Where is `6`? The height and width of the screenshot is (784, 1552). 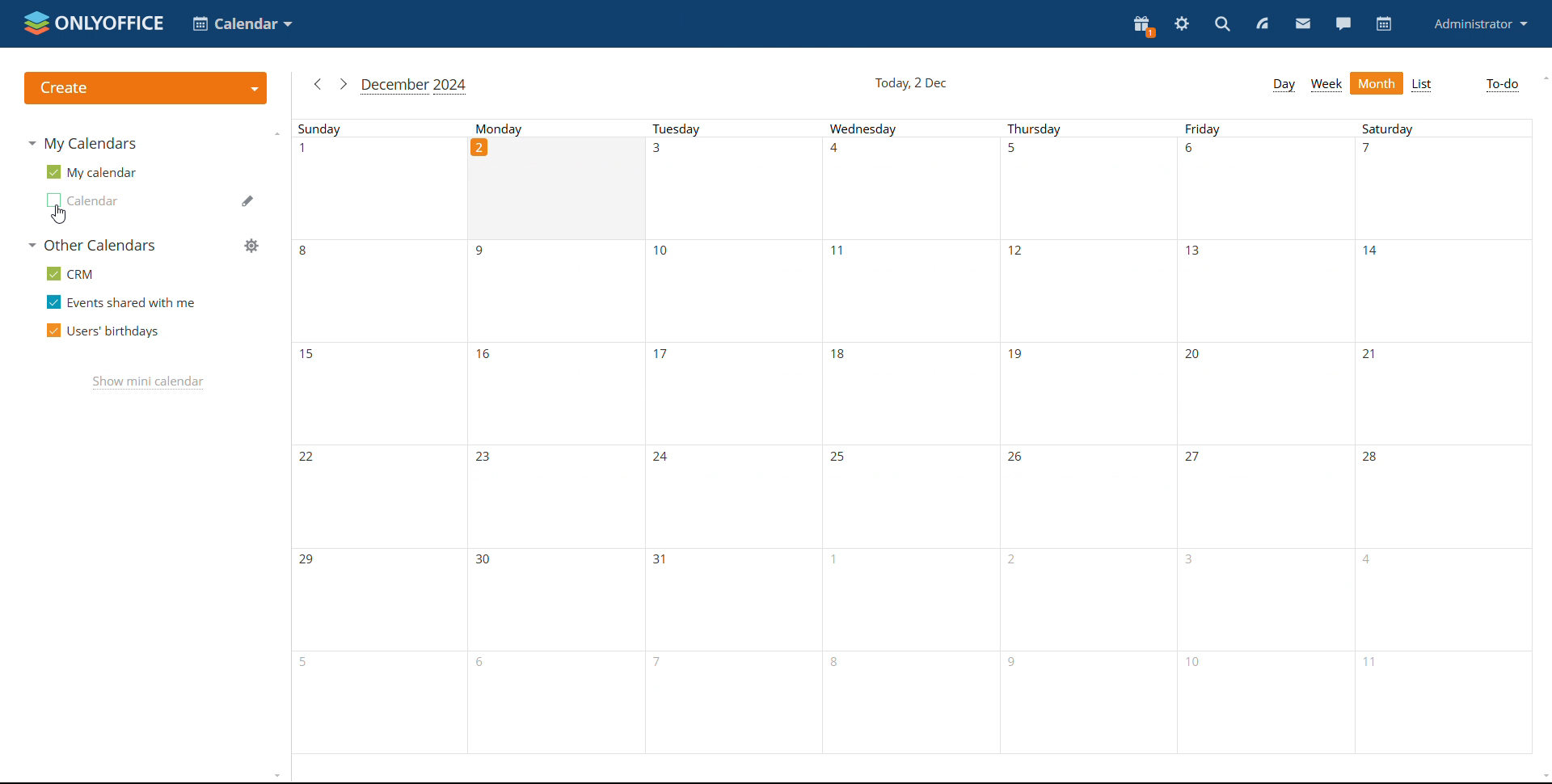
6 is located at coordinates (1267, 188).